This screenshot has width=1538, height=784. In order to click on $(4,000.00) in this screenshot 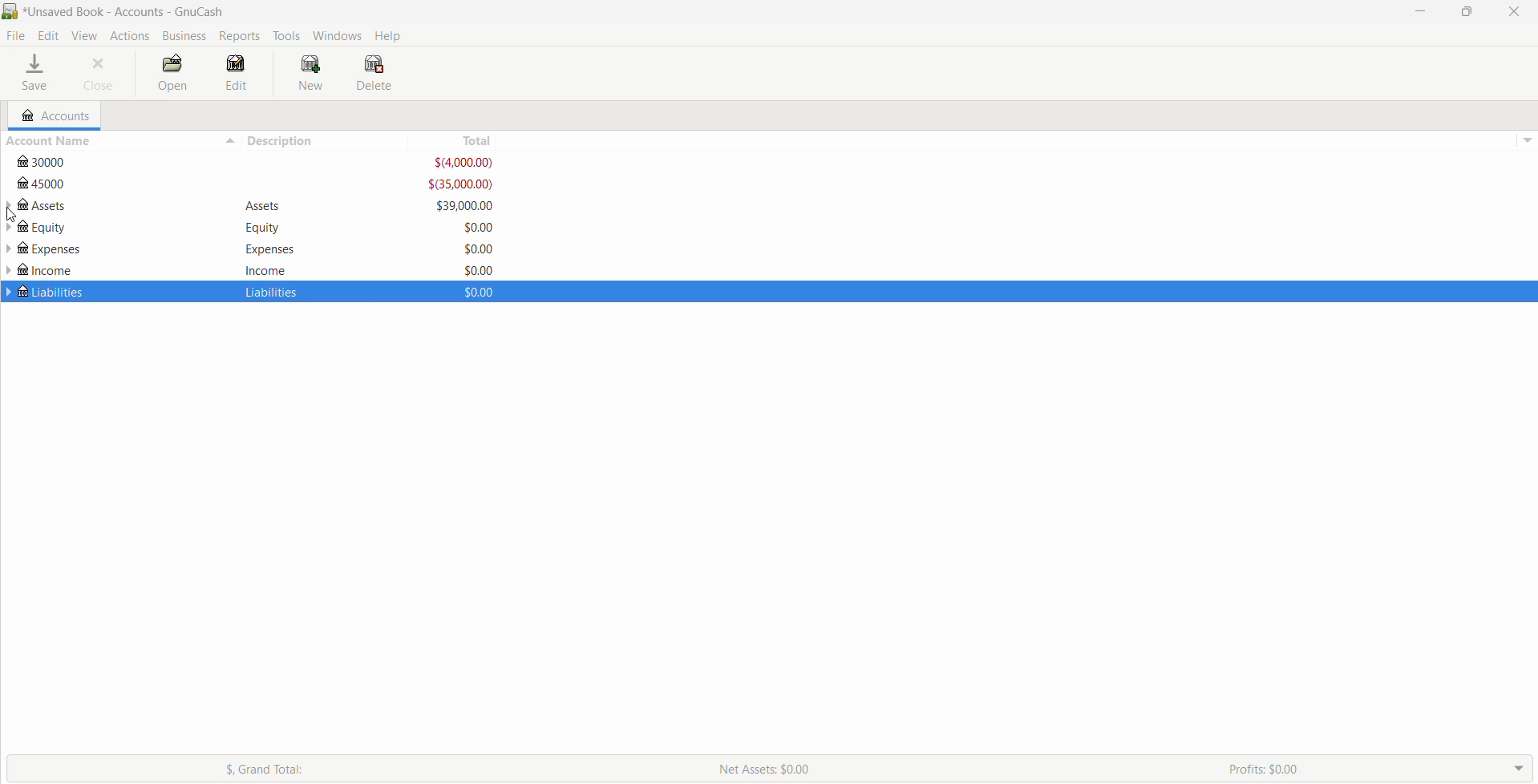, I will do `click(461, 163)`.